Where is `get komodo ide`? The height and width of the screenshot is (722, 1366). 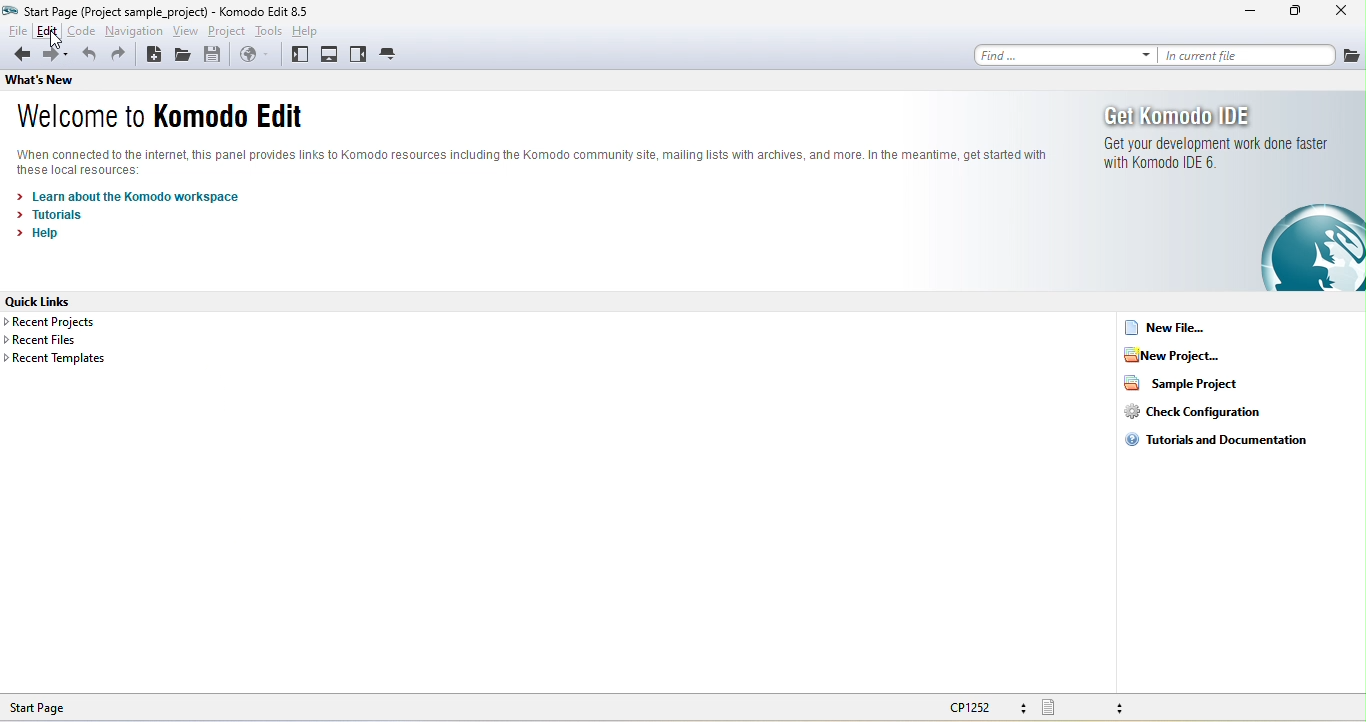 get komodo ide is located at coordinates (1214, 138).